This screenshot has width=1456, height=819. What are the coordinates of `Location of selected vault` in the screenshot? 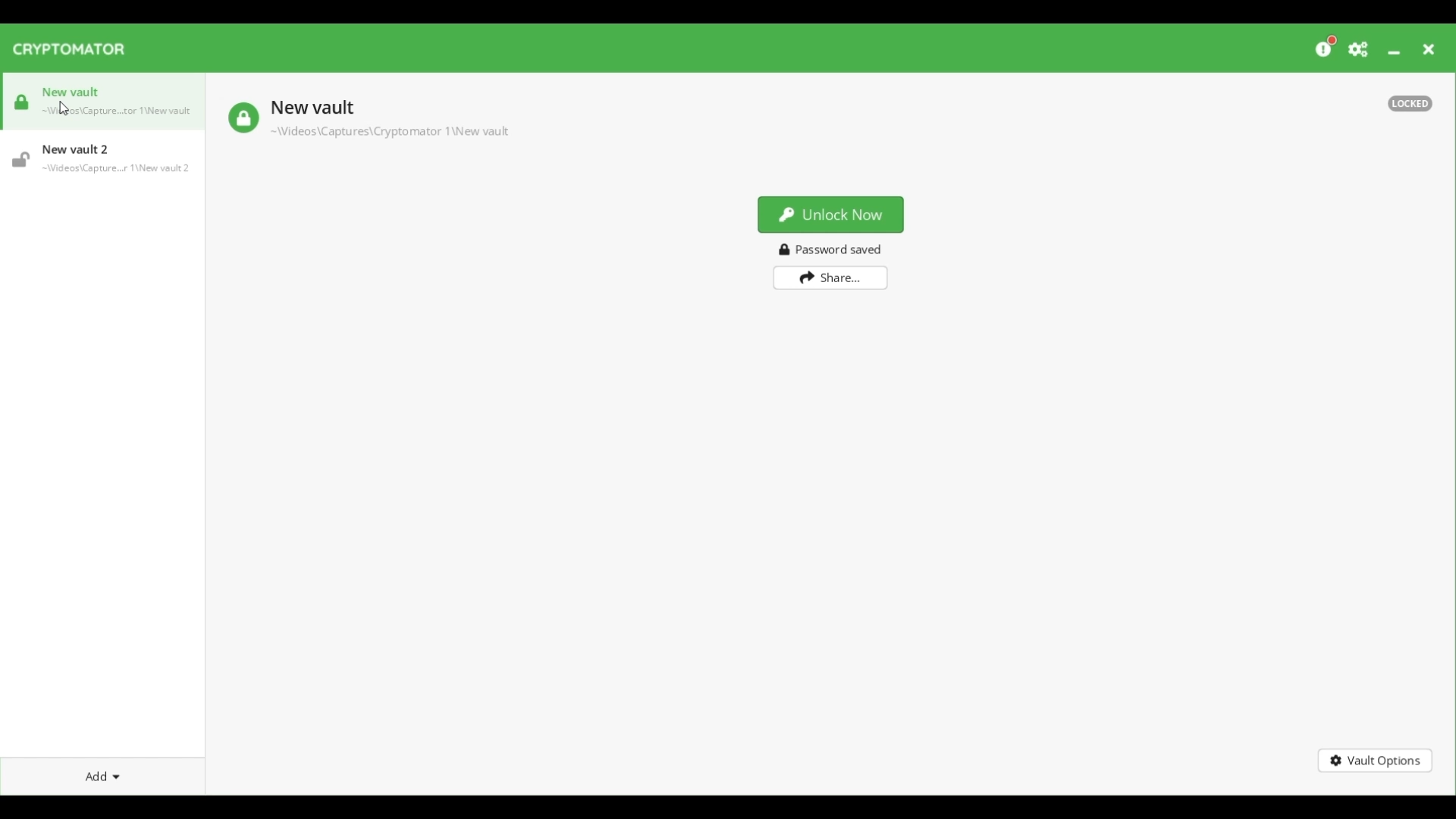 It's located at (388, 131).